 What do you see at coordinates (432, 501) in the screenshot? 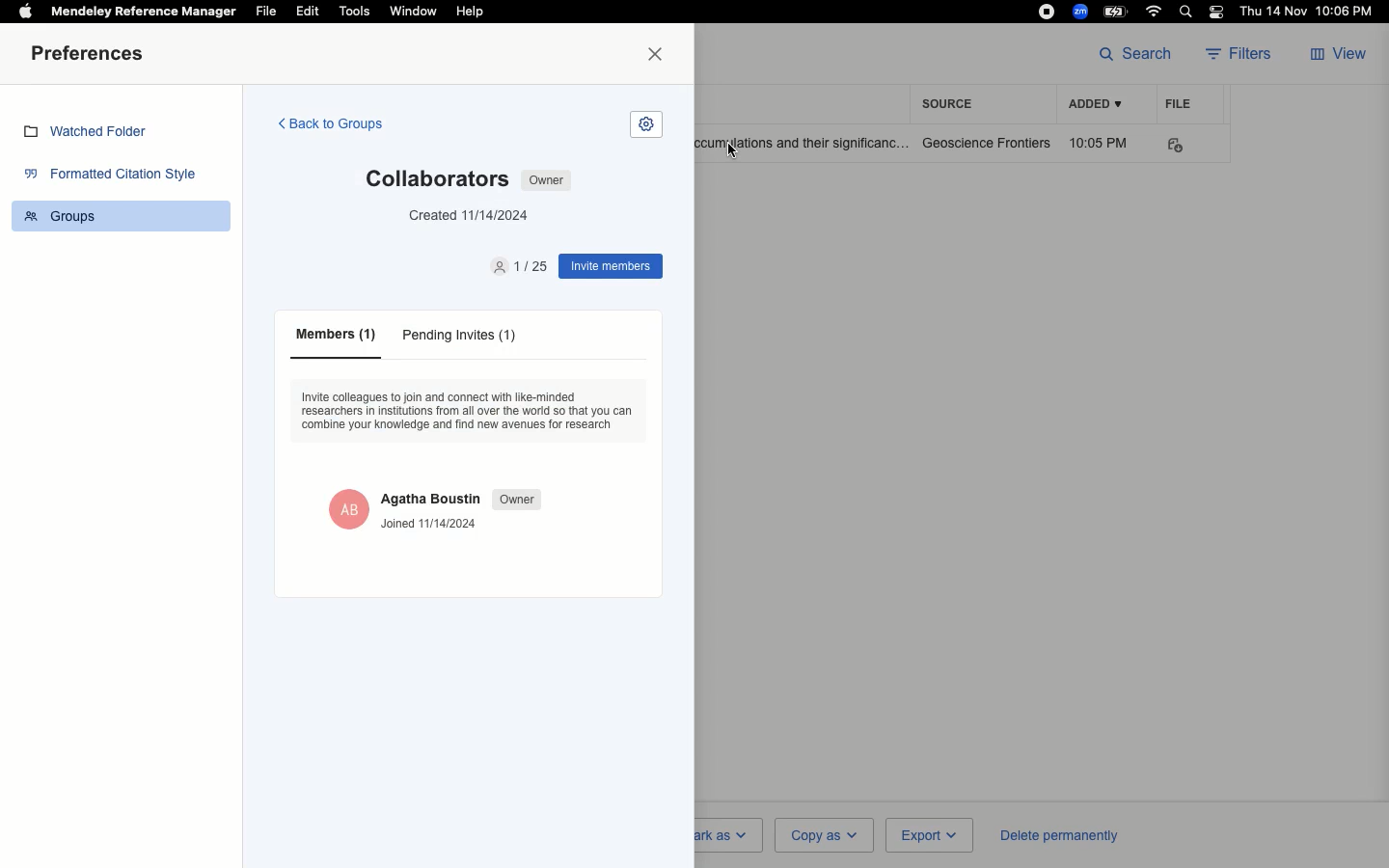
I see `Agatha Boustin` at bounding box center [432, 501].